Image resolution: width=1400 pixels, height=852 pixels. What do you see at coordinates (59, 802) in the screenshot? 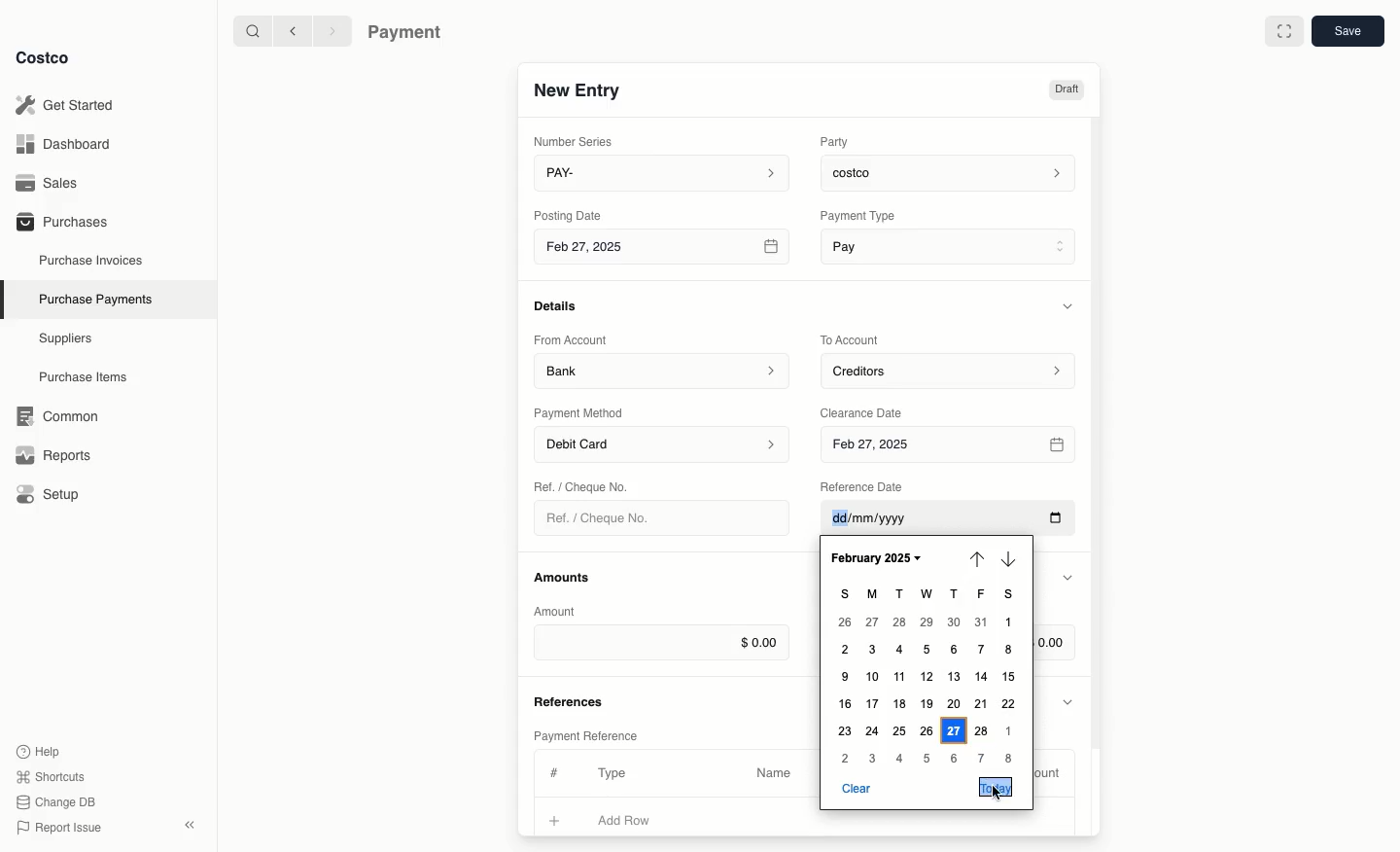
I see `Change DB` at bounding box center [59, 802].